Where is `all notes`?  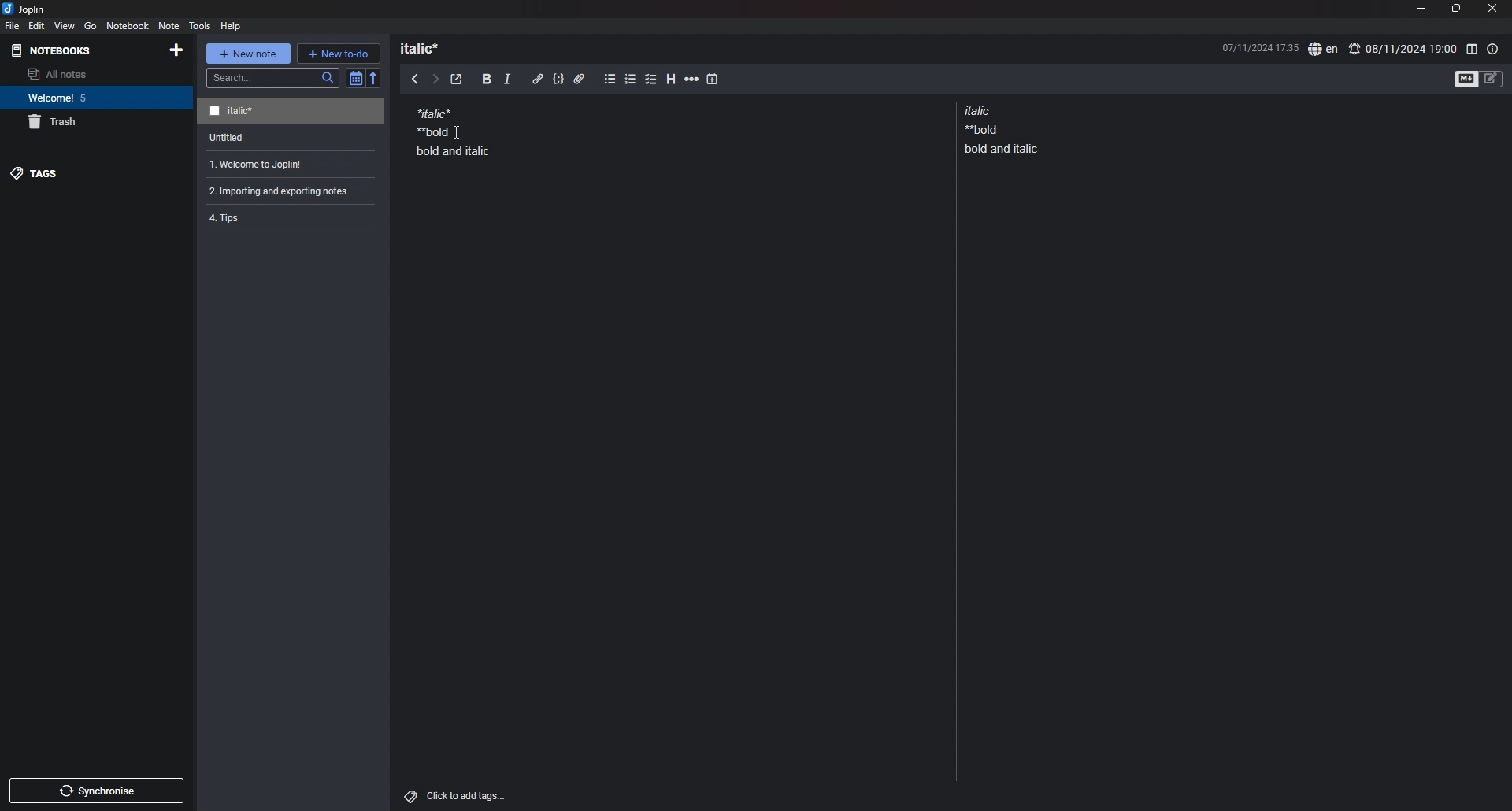
all notes is located at coordinates (92, 74).